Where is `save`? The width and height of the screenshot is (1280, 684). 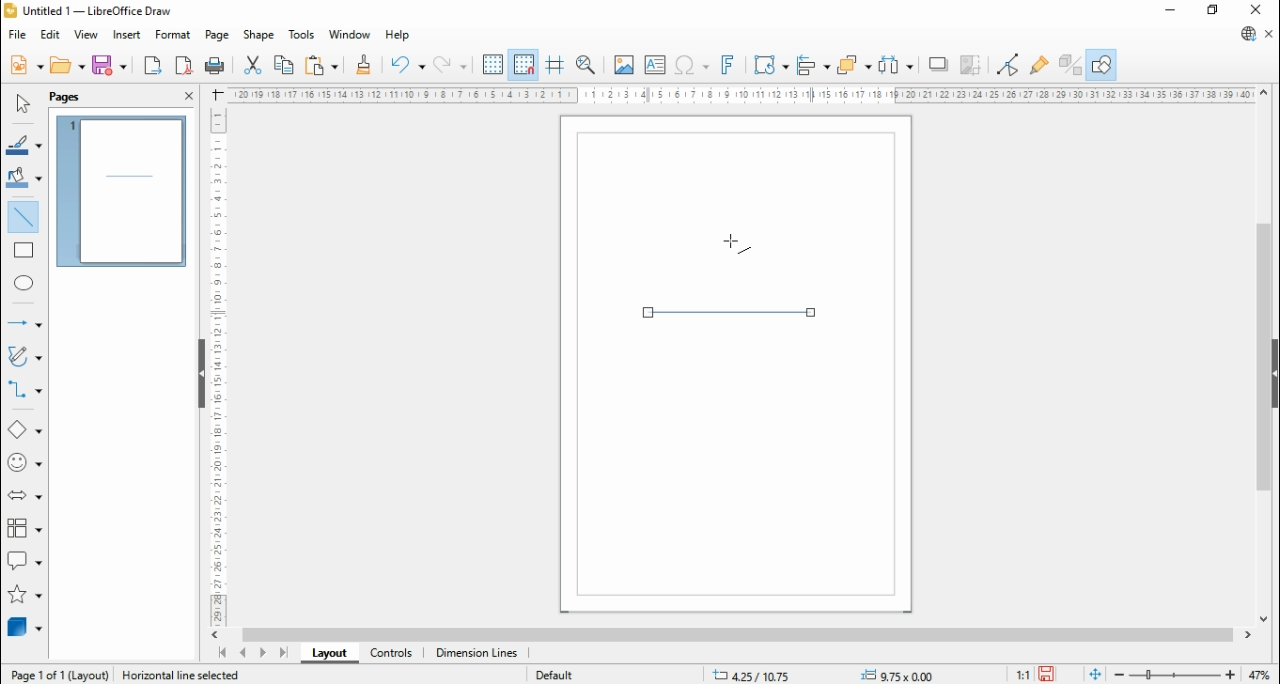
save is located at coordinates (1047, 674).